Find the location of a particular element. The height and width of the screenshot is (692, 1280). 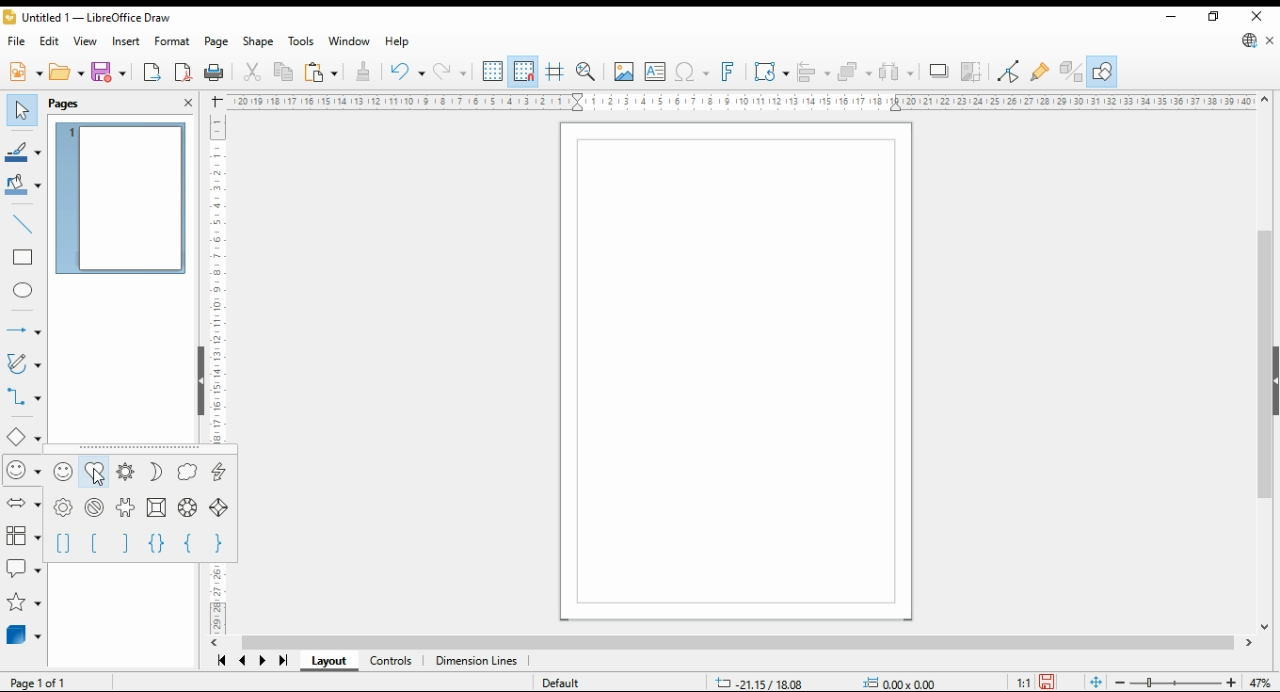

insert picture is located at coordinates (623, 72).